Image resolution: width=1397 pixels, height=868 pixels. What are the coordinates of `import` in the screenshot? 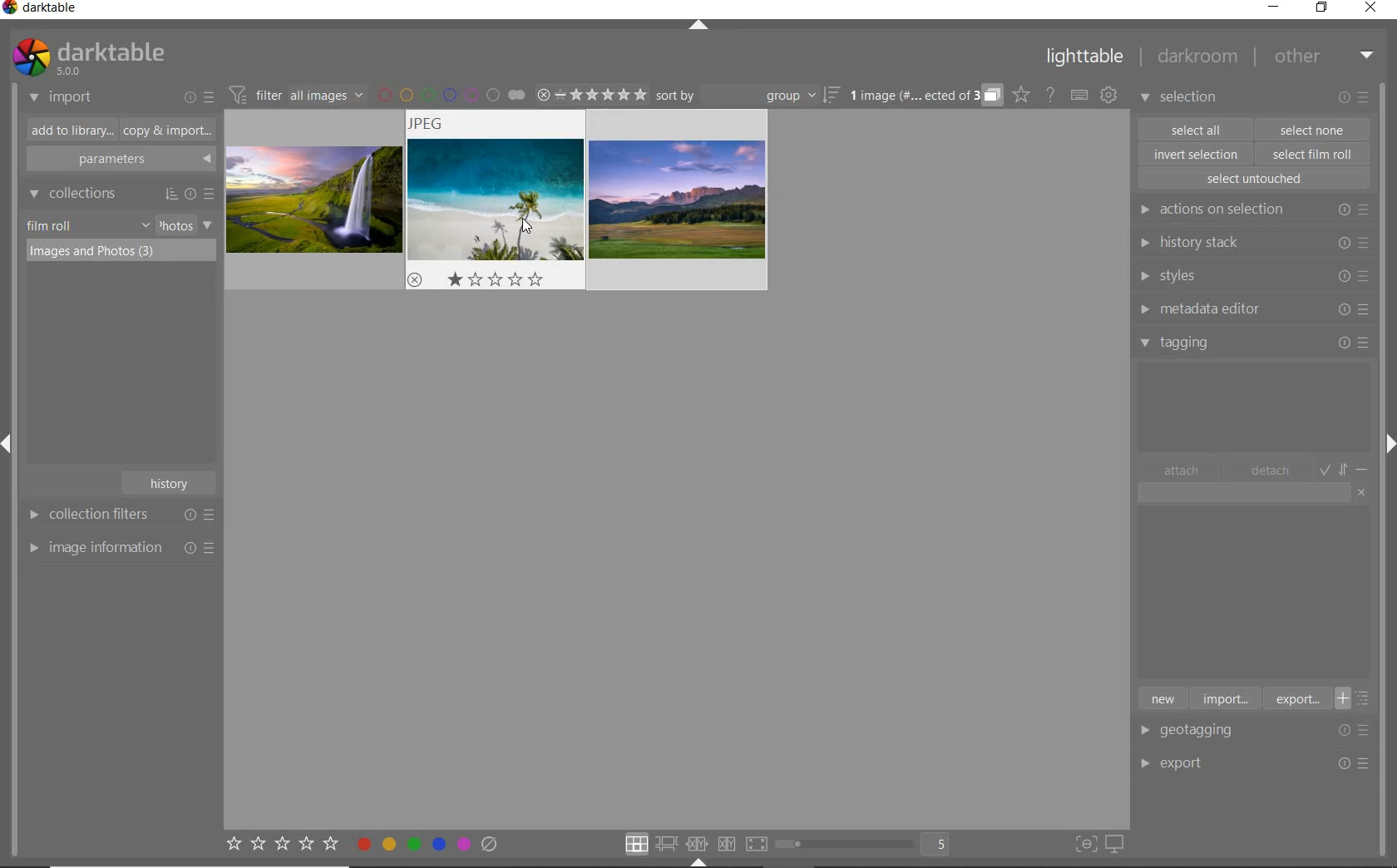 It's located at (62, 98).